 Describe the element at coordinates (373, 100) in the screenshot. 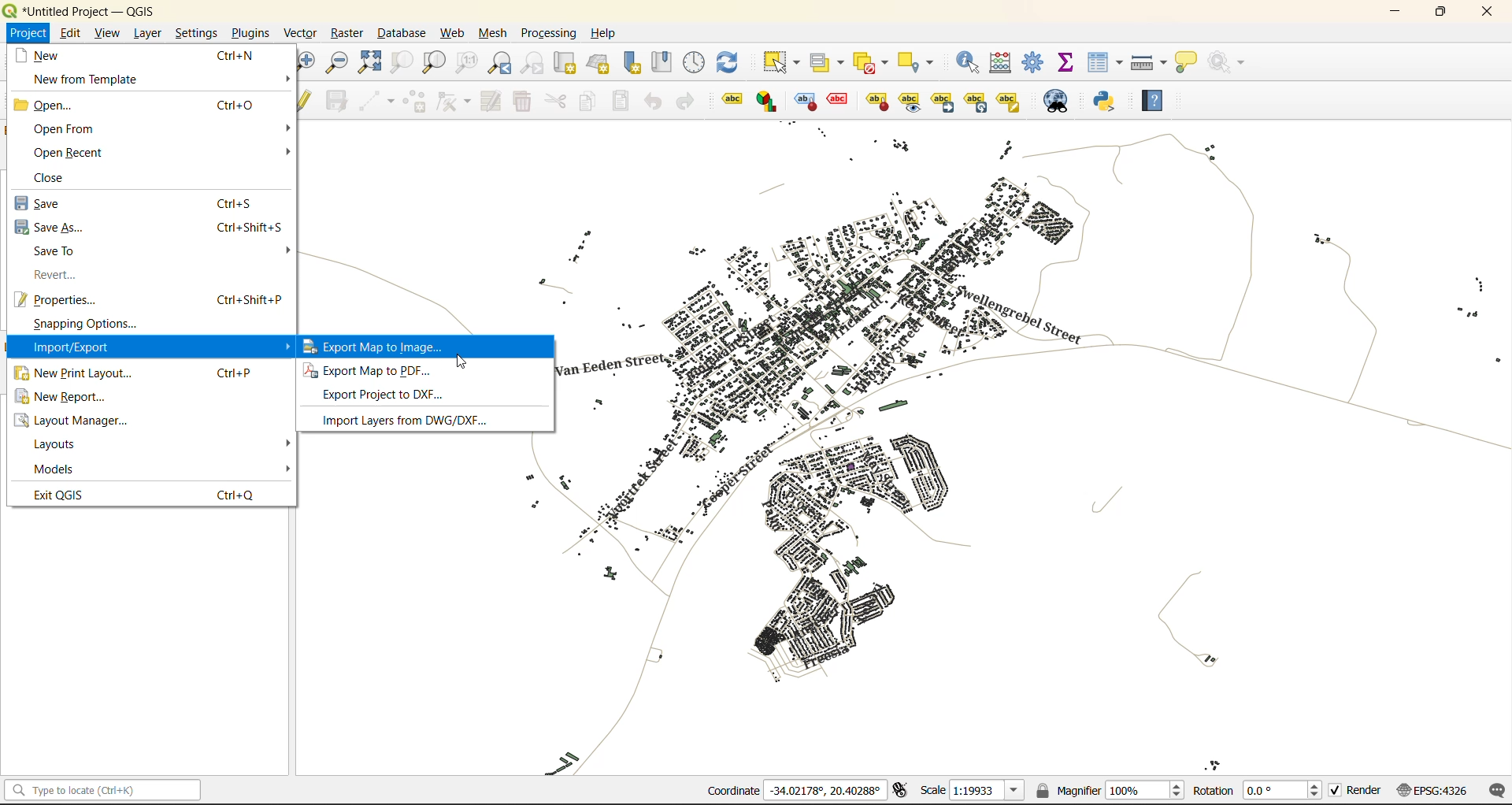

I see `digitize` at that location.